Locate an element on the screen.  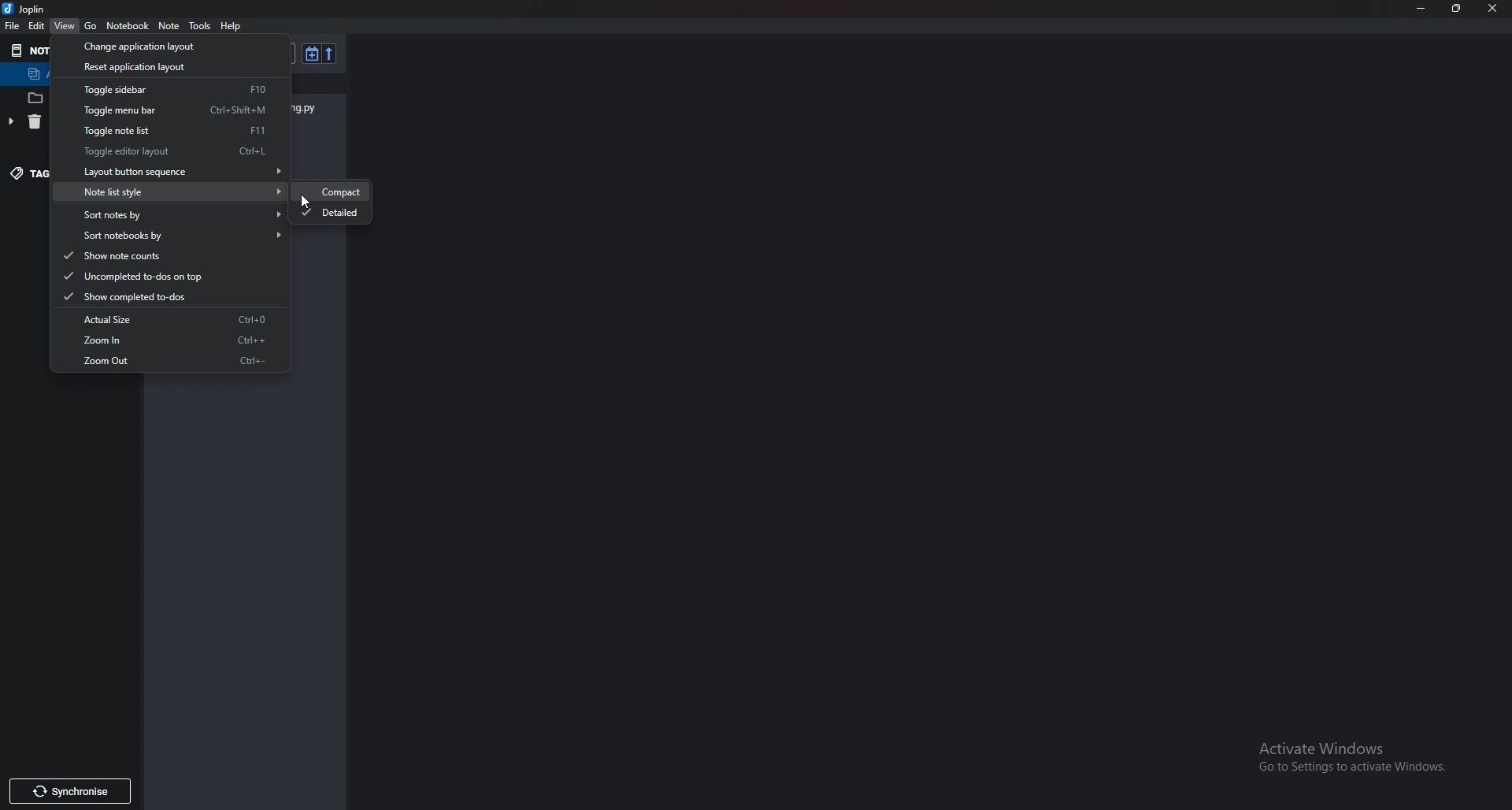
Tools is located at coordinates (200, 26).